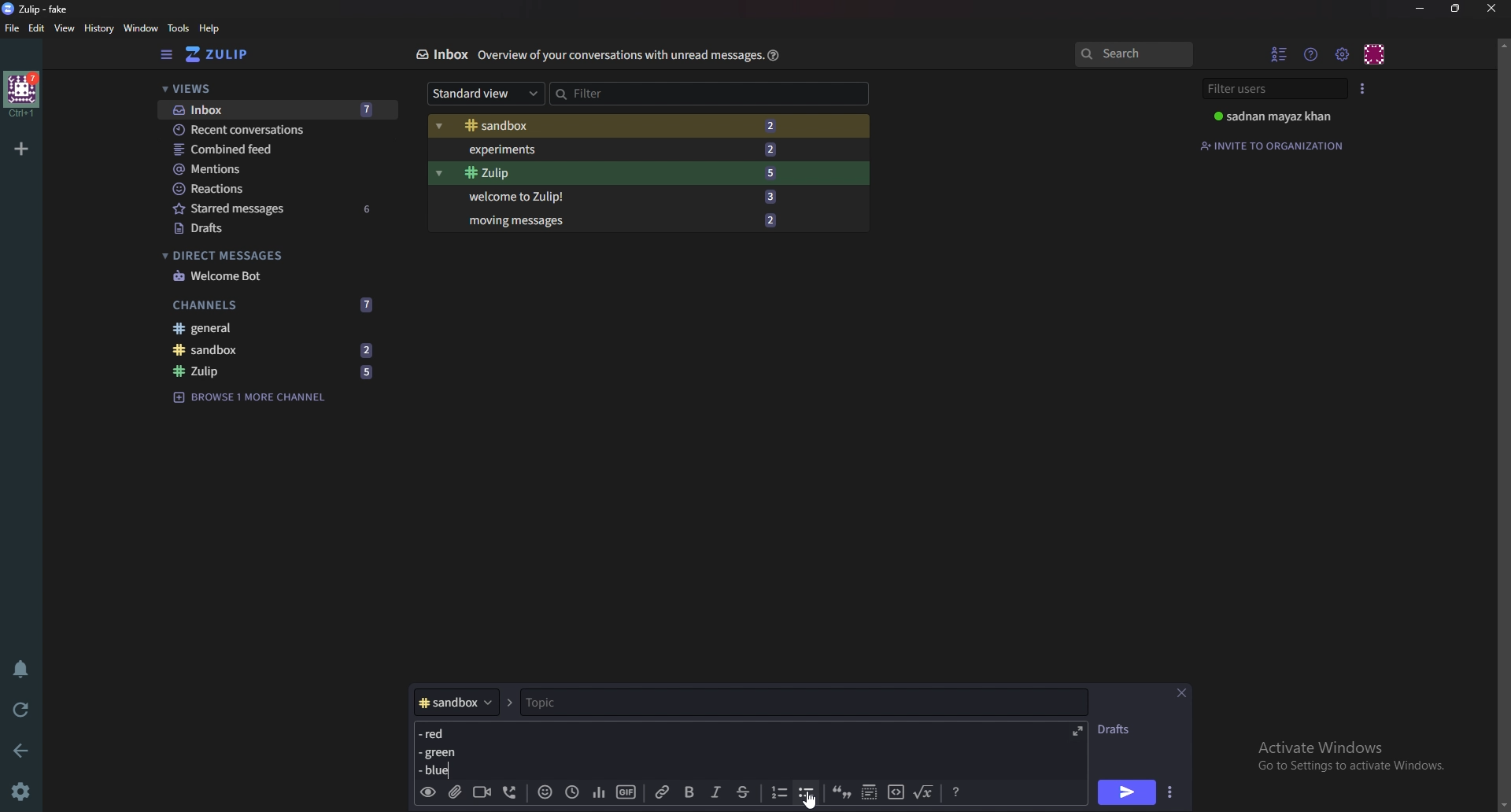 The height and width of the screenshot is (812, 1511). I want to click on close, so click(1490, 8).